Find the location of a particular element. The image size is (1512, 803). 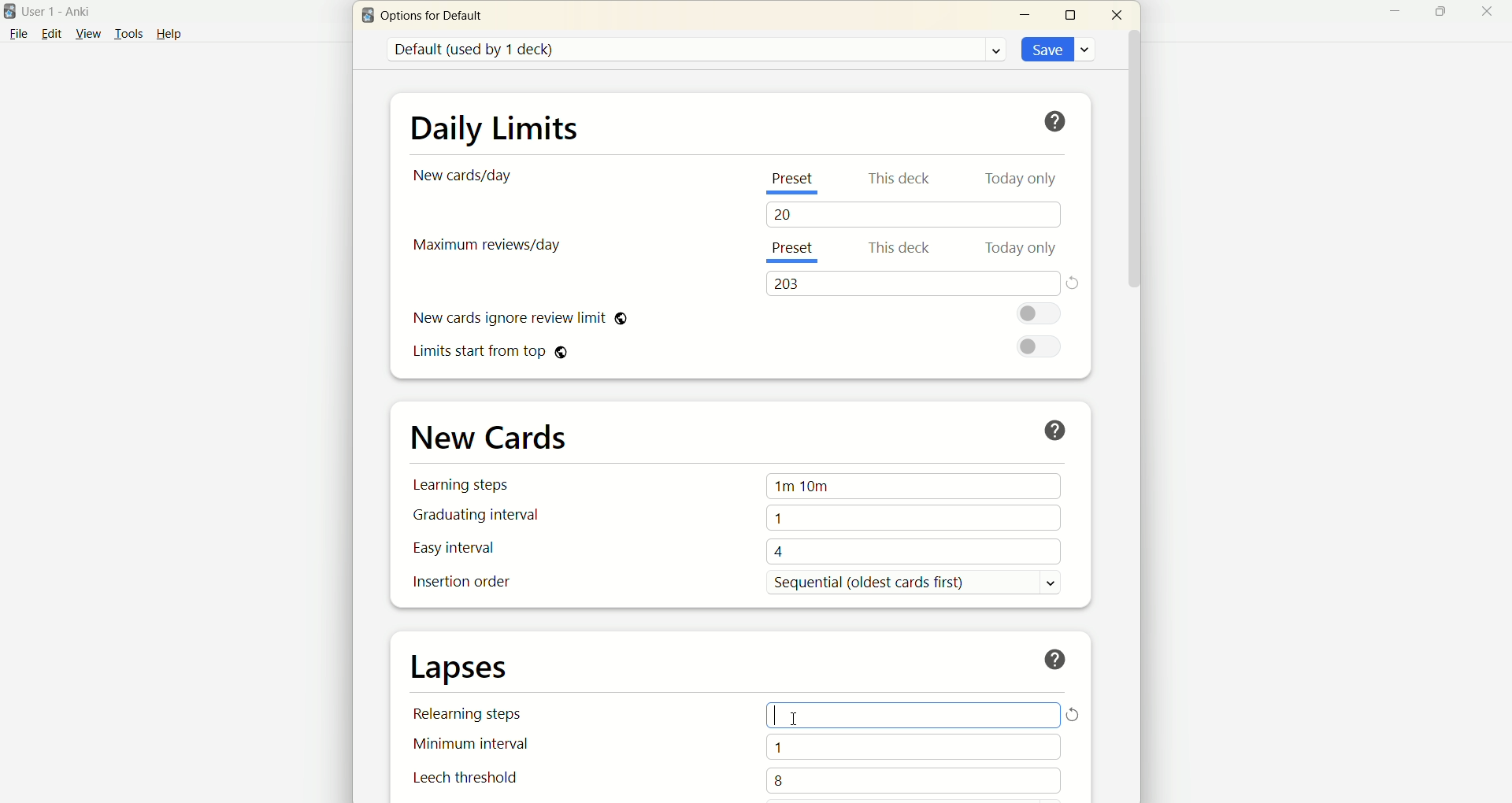

present is located at coordinates (791, 185).